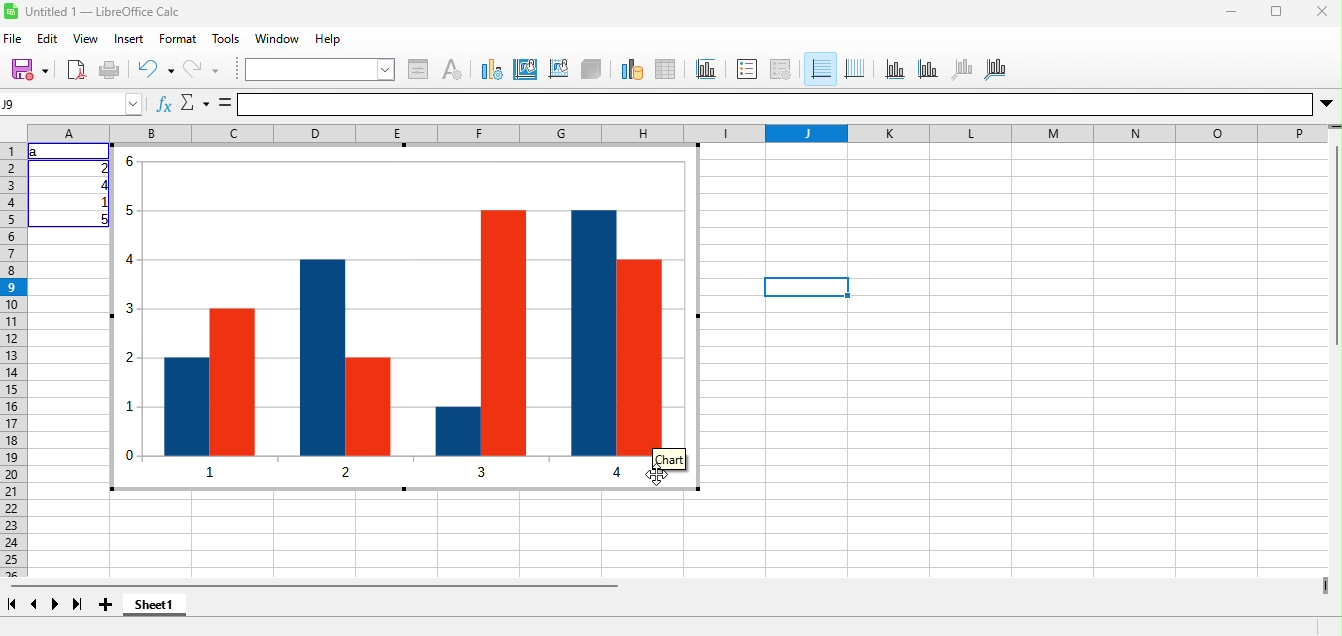 This screenshot has width=1342, height=636. What do you see at coordinates (666, 70) in the screenshot?
I see `data table` at bounding box center [666, 70].